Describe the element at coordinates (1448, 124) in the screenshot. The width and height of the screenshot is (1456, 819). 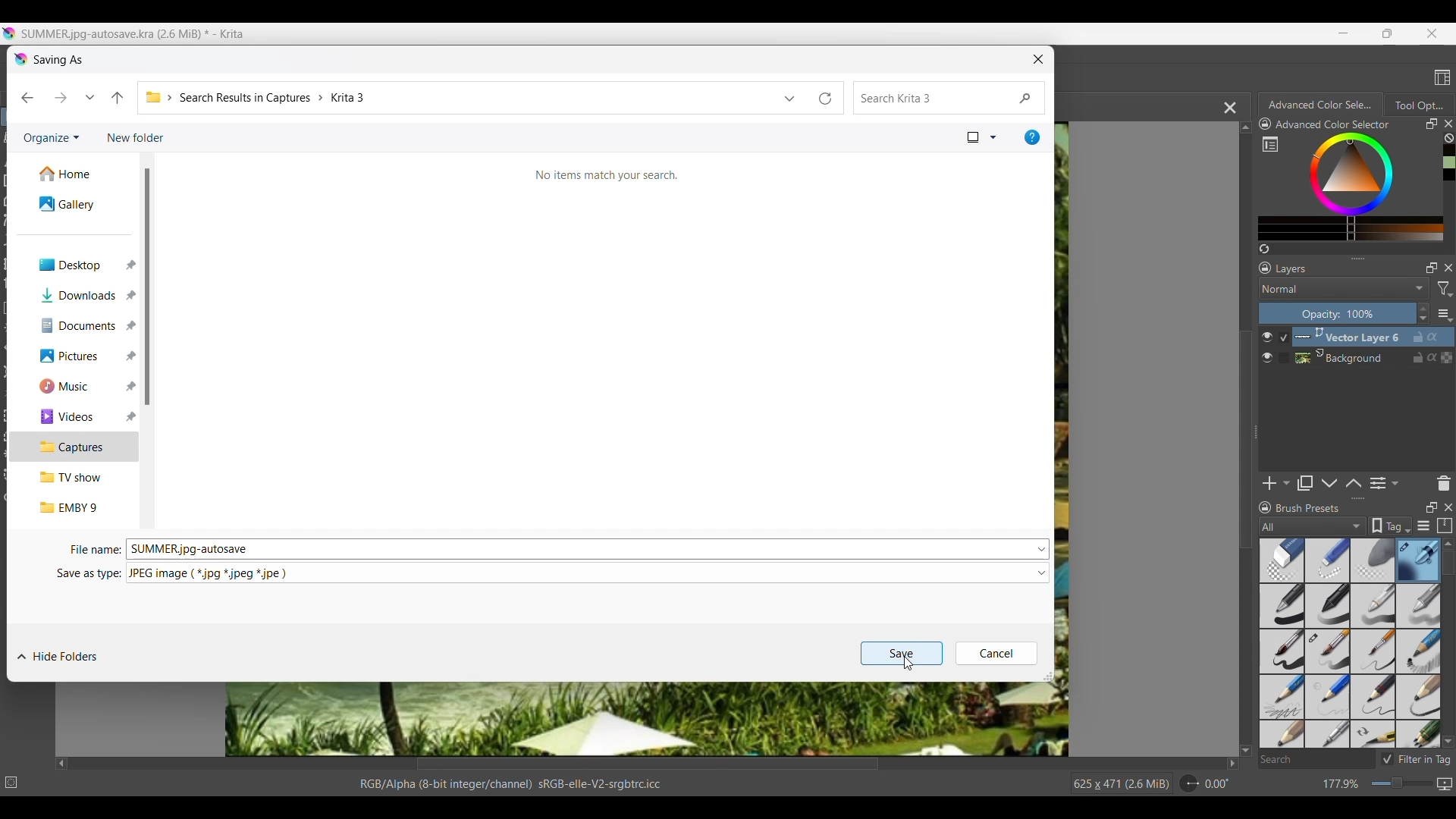
I see `Close tab` at that location.